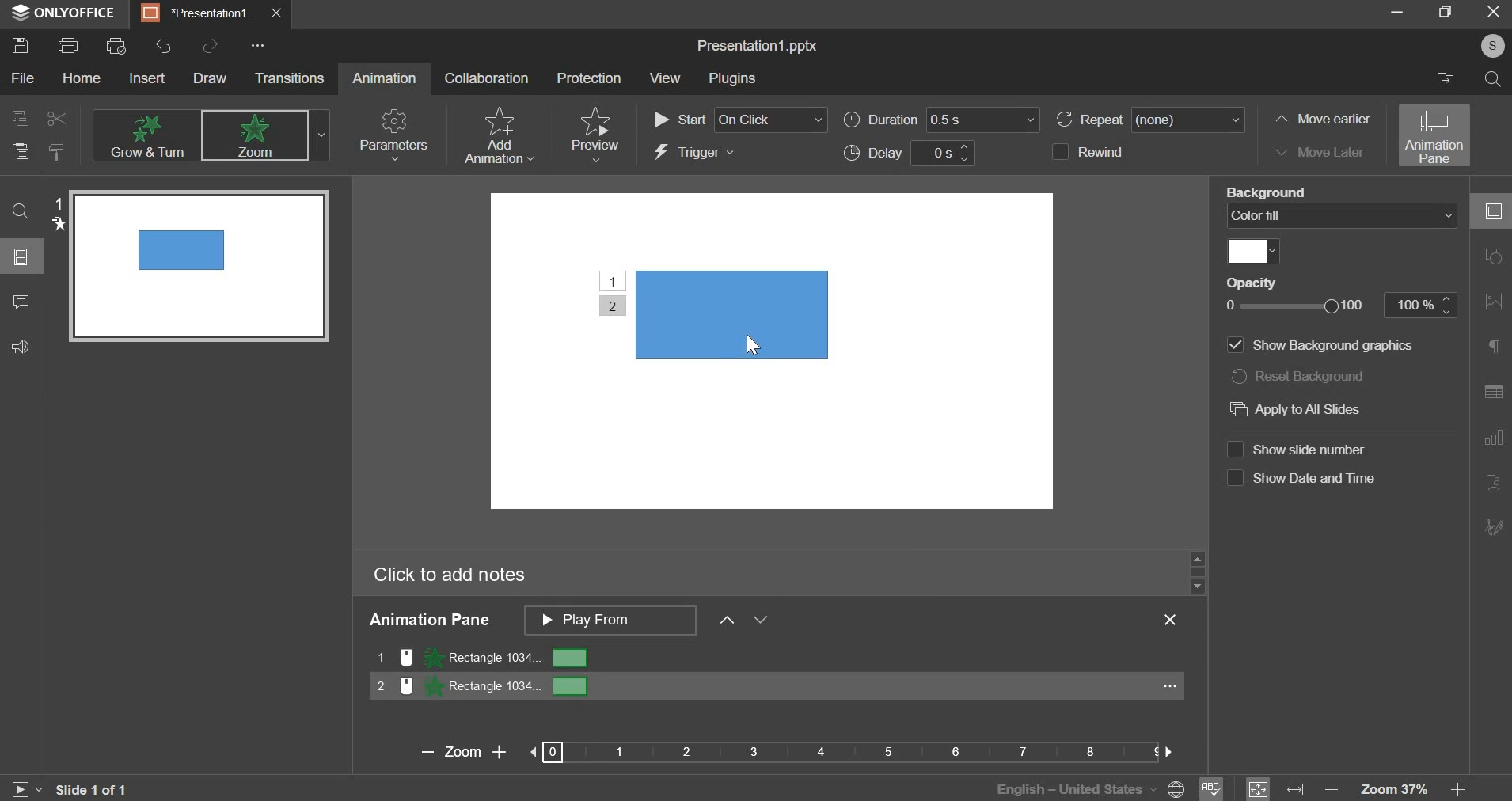 Image resolution: width=1512 pixels, height=801 pixels. What do you see at coordinates (1328, 346) in the screenshot?
I see `Line` at bounding box center [1328, 346].